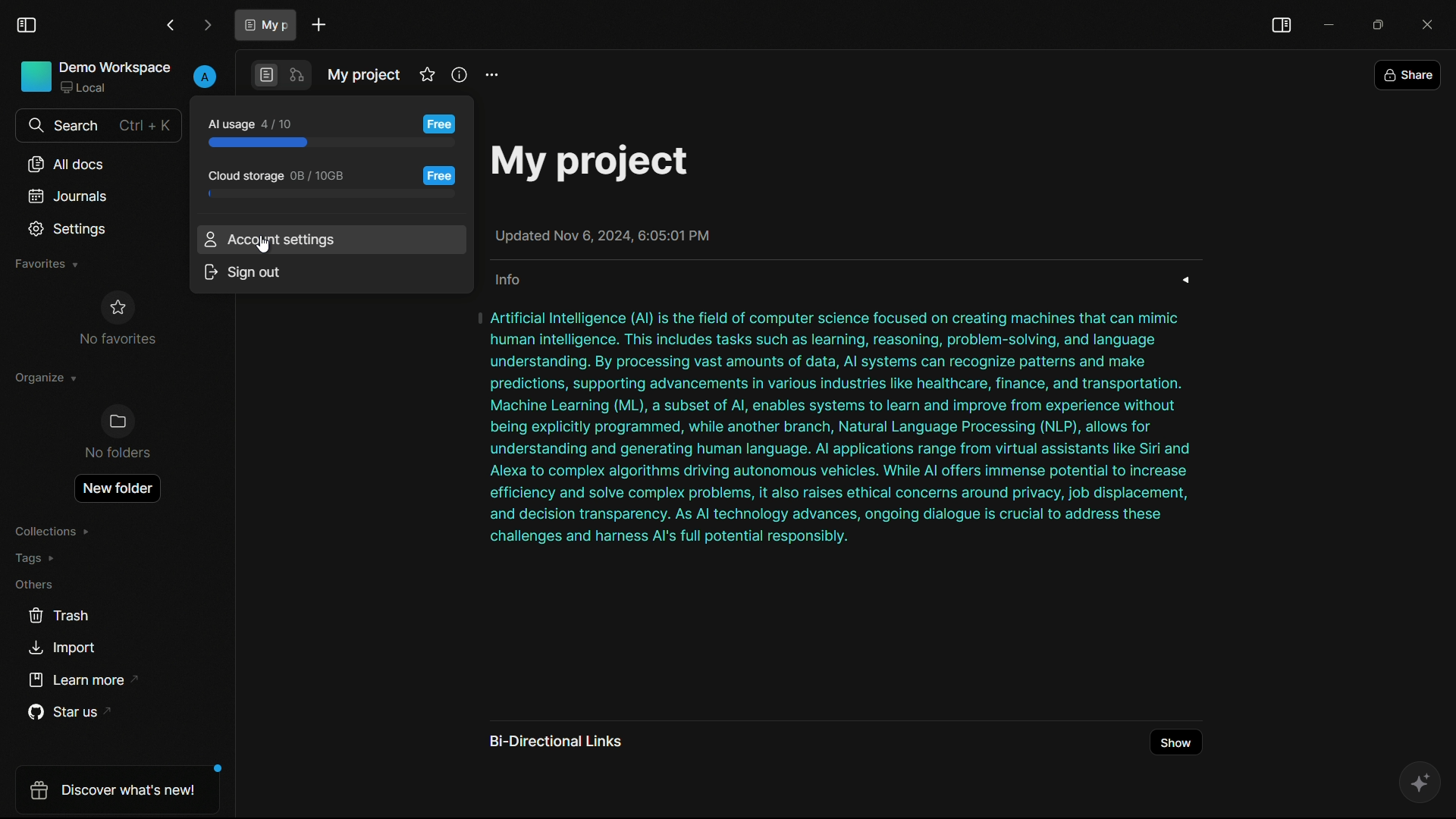 The width and height of the screenshot is (1456, 819). Describe the element at coordinates (1428, 24) in the screenshot. I see `close app` at that location.